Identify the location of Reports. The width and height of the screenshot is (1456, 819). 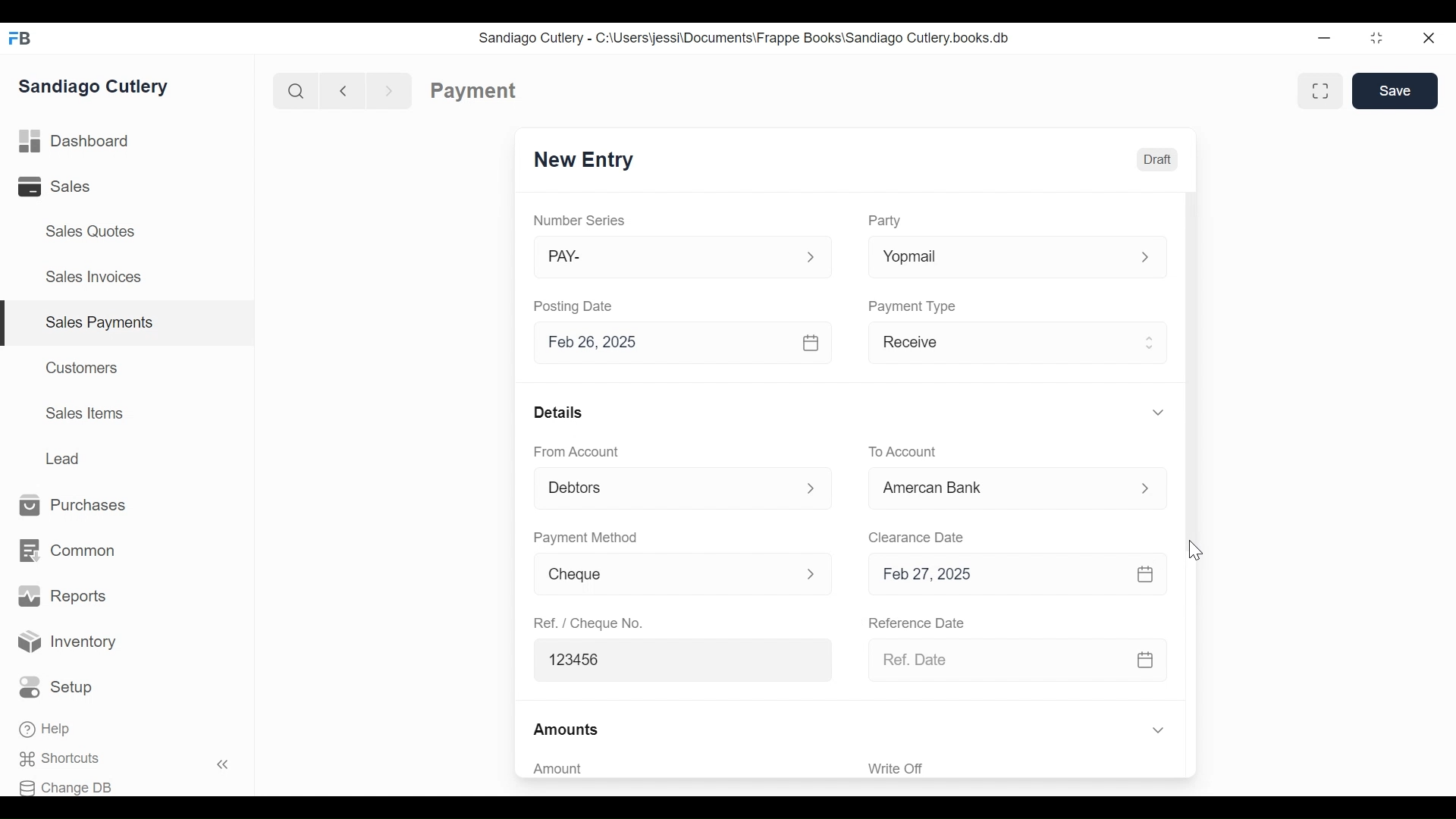
(62, 596).